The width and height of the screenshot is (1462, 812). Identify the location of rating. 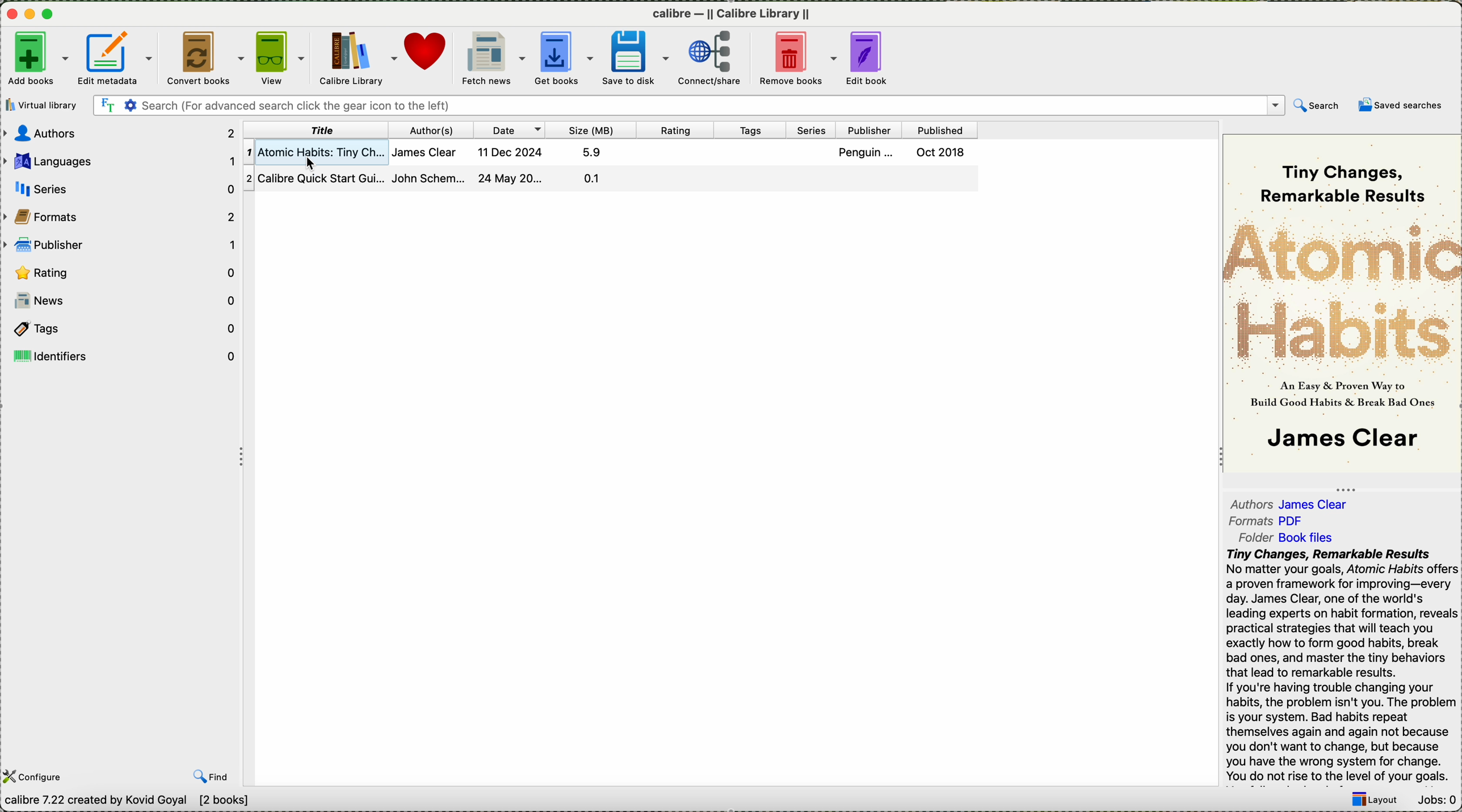
(676, 129).